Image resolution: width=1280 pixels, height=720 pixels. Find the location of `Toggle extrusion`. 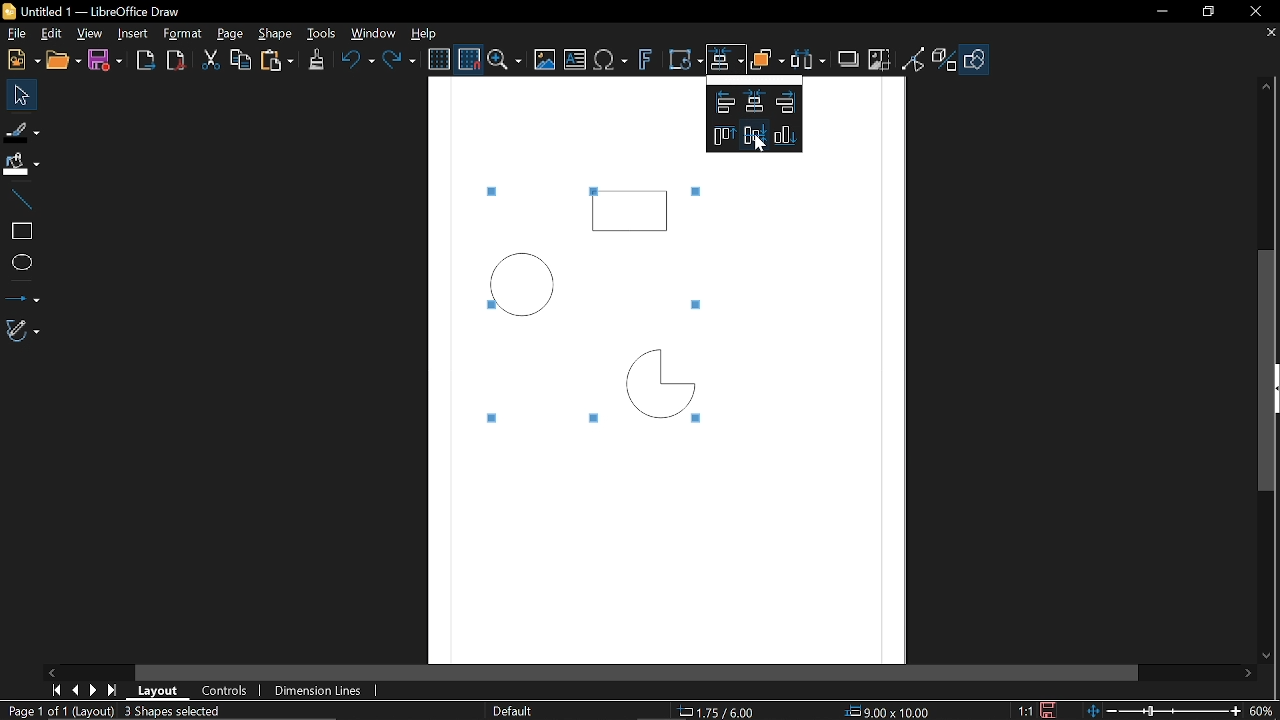

Toggle extrusion is located at coordinates (942, 61).